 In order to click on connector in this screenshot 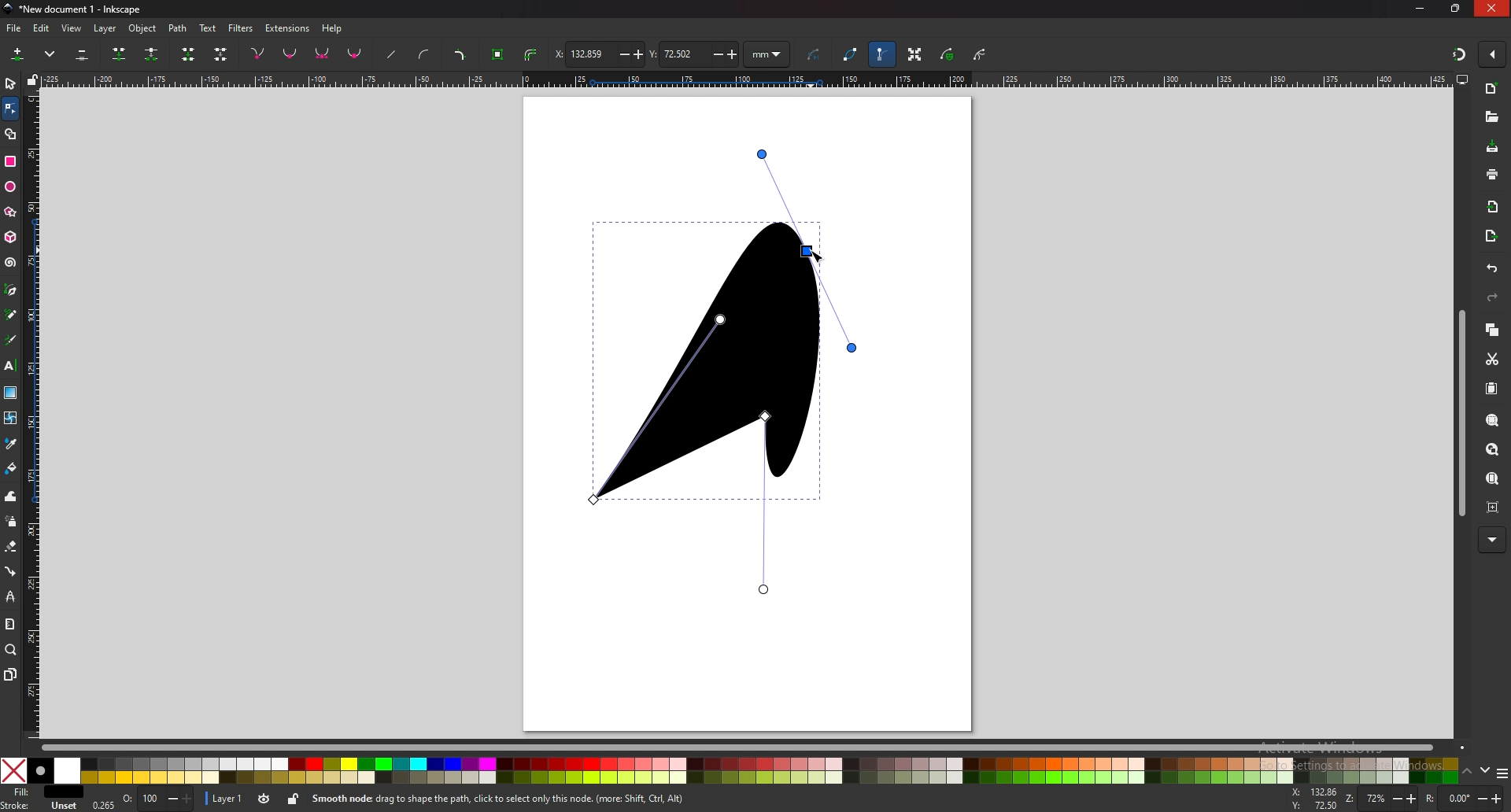, I will do `click(10, 570)`.